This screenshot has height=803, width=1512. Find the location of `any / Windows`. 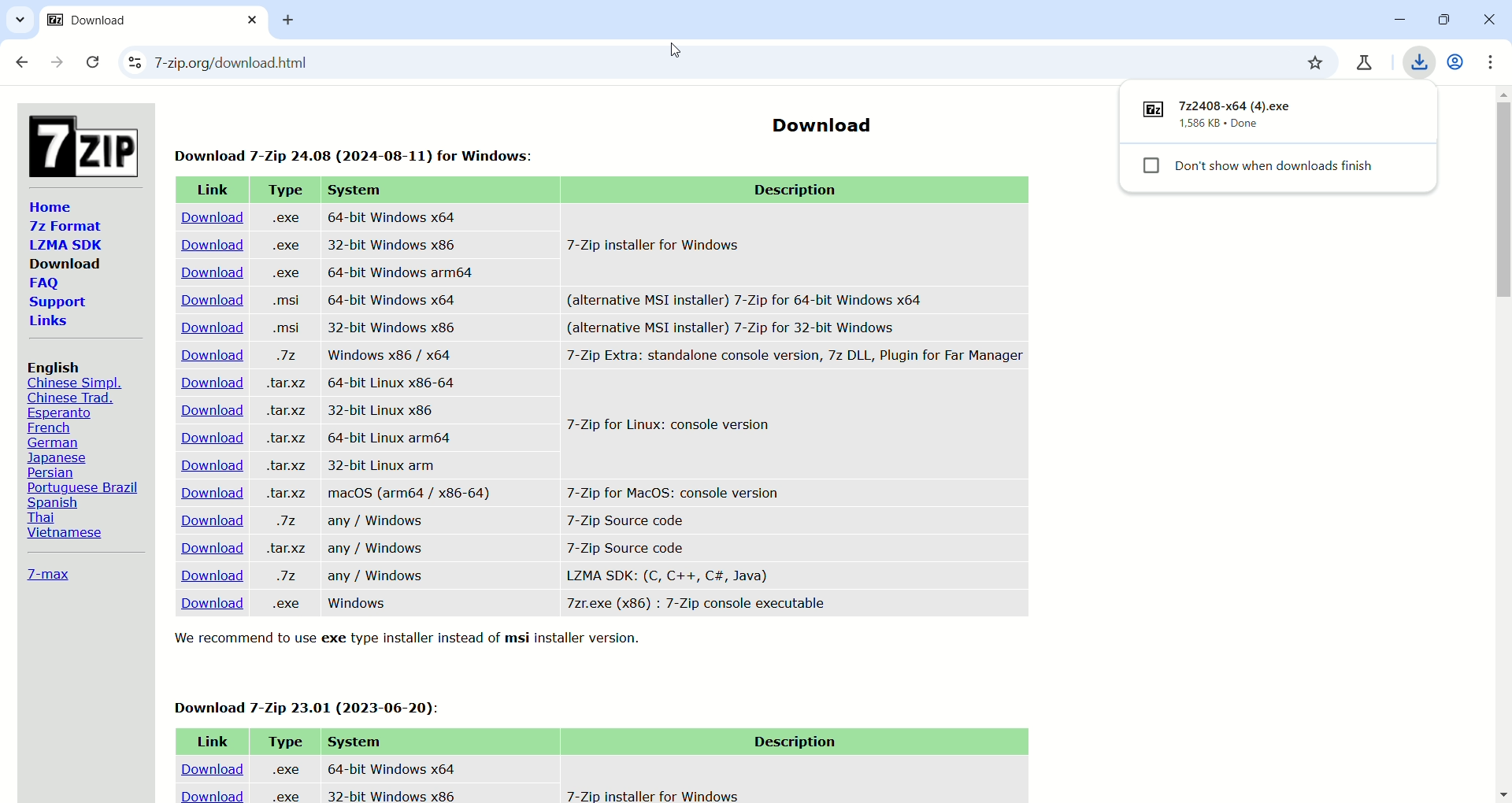

any / Windows is located at coordinates (374, 549).